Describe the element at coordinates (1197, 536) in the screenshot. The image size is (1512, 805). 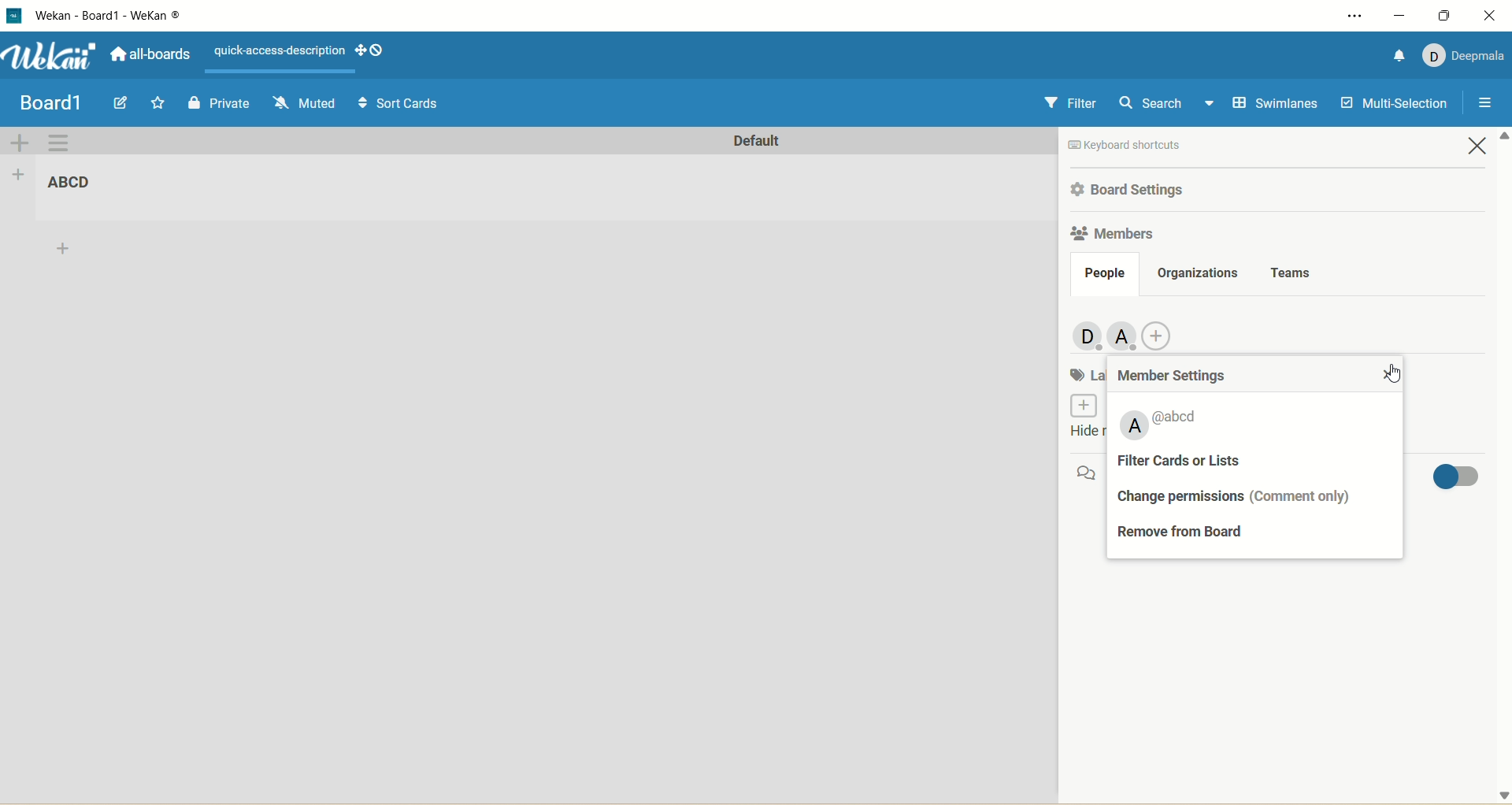
I see `remove from board` at that location.